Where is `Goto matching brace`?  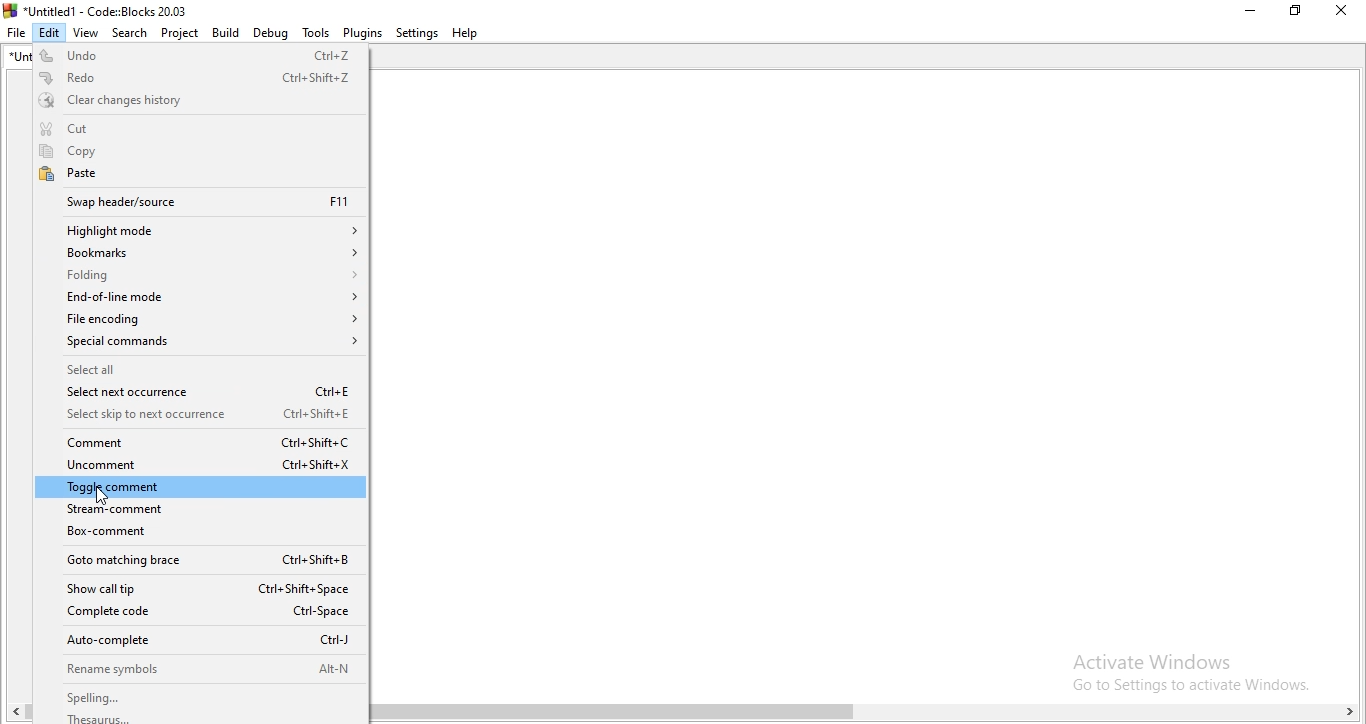 Goto matching brace is located at coordinates (205, 562).